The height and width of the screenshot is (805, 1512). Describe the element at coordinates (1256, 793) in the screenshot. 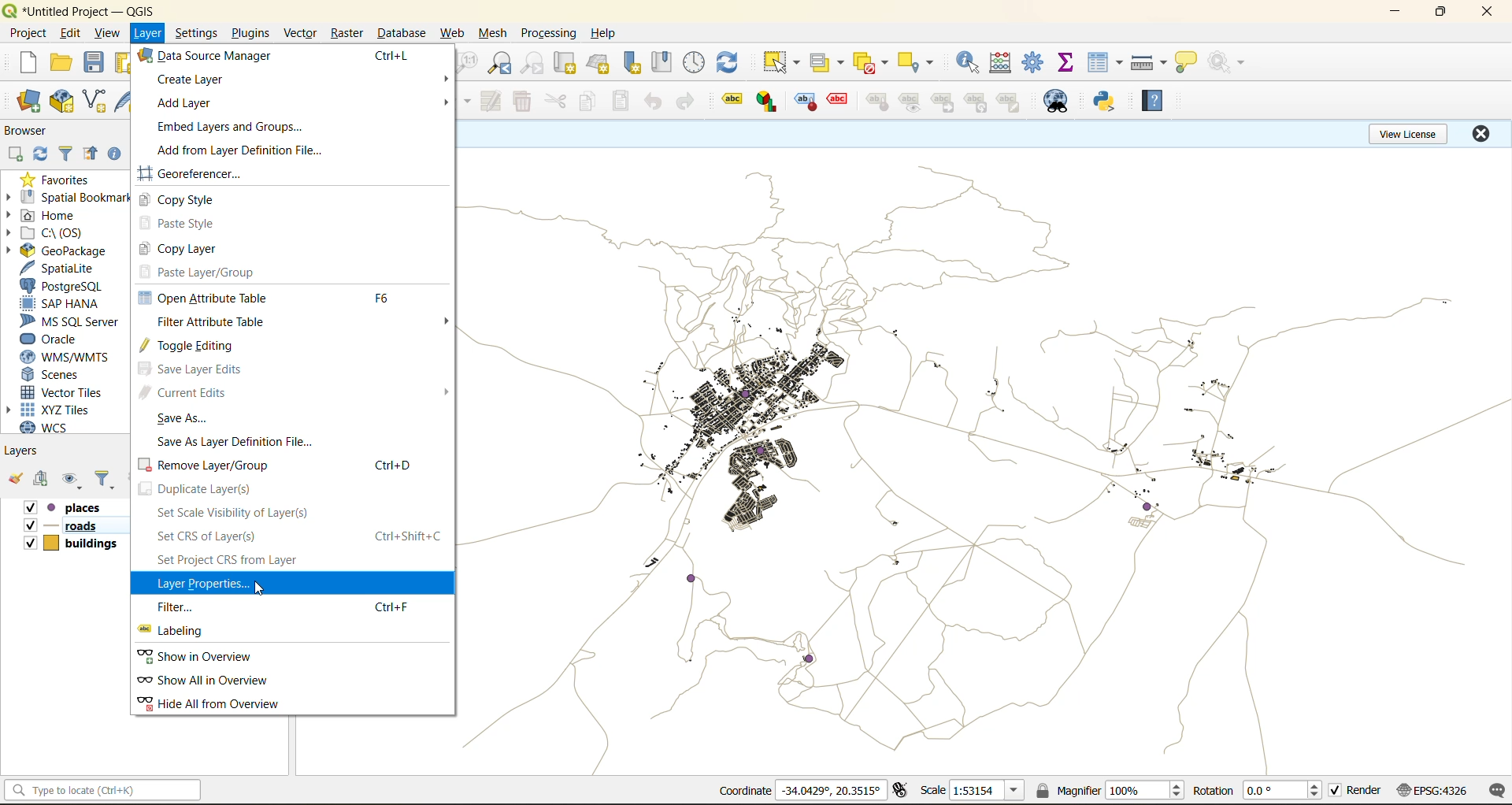

I see `rotation` at that location.